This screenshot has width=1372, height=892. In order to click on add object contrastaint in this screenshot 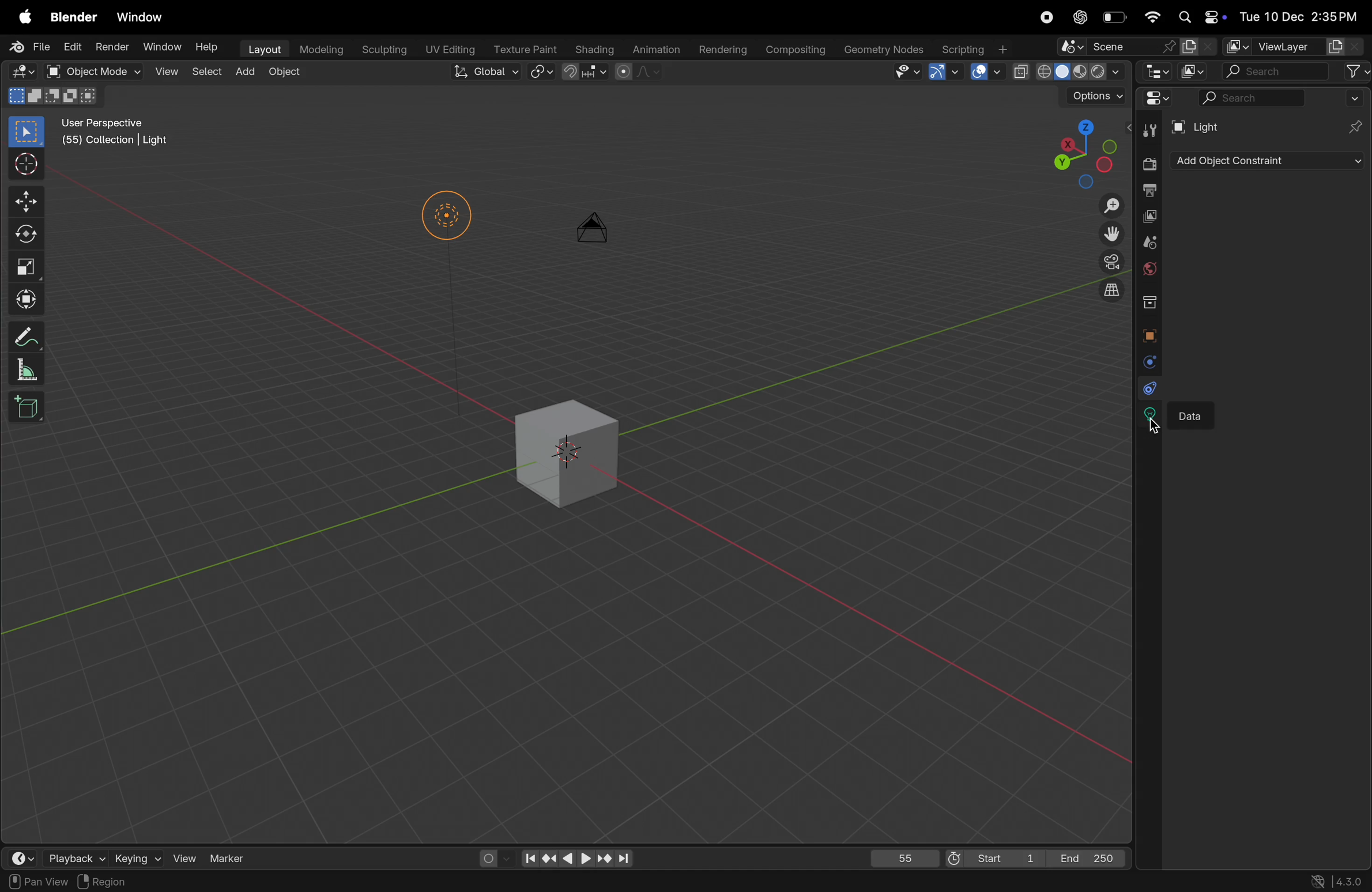, I will do `click(1266, 161)`.